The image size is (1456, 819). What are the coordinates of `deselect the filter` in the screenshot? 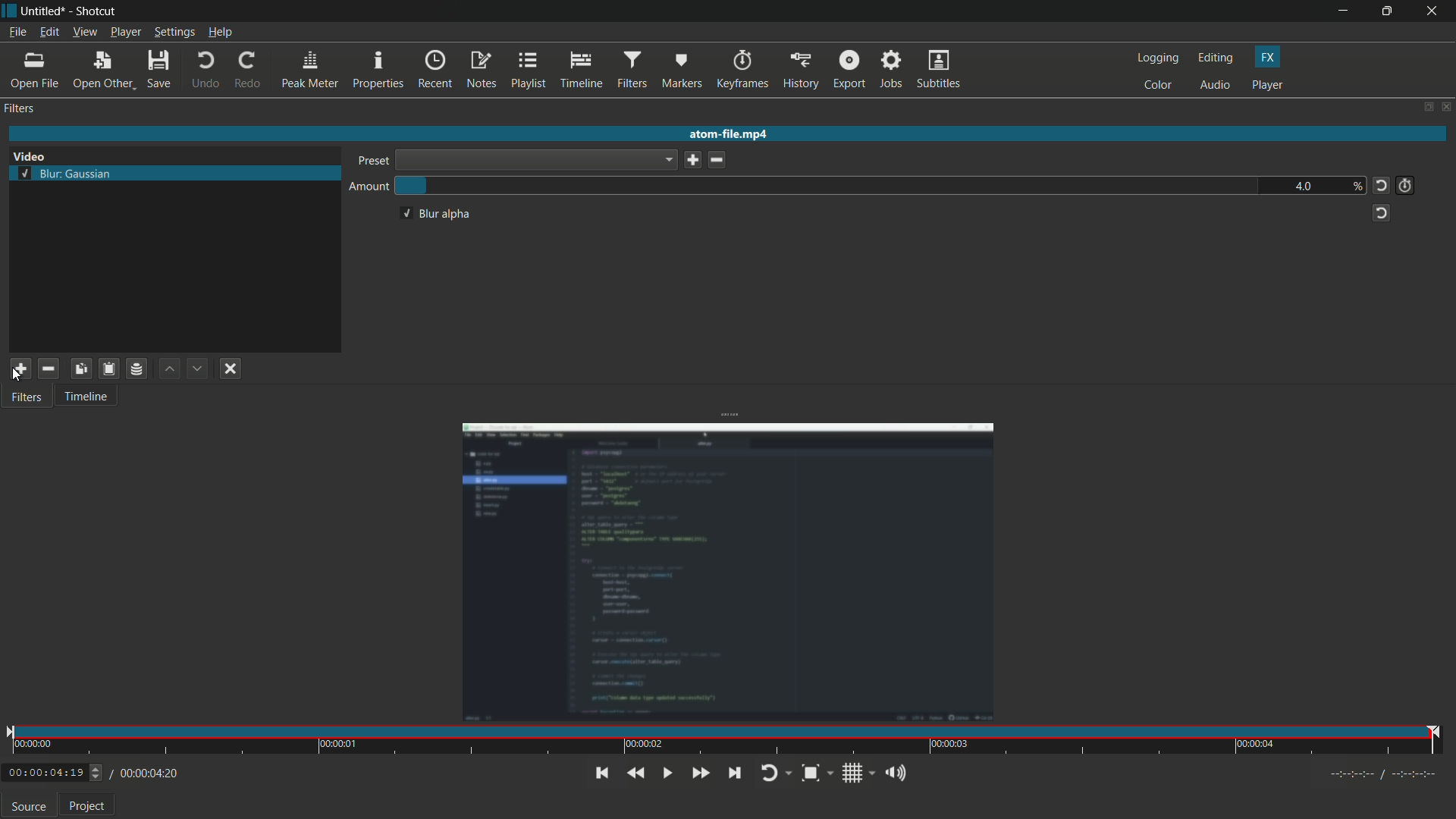 It's located at (231, 370).